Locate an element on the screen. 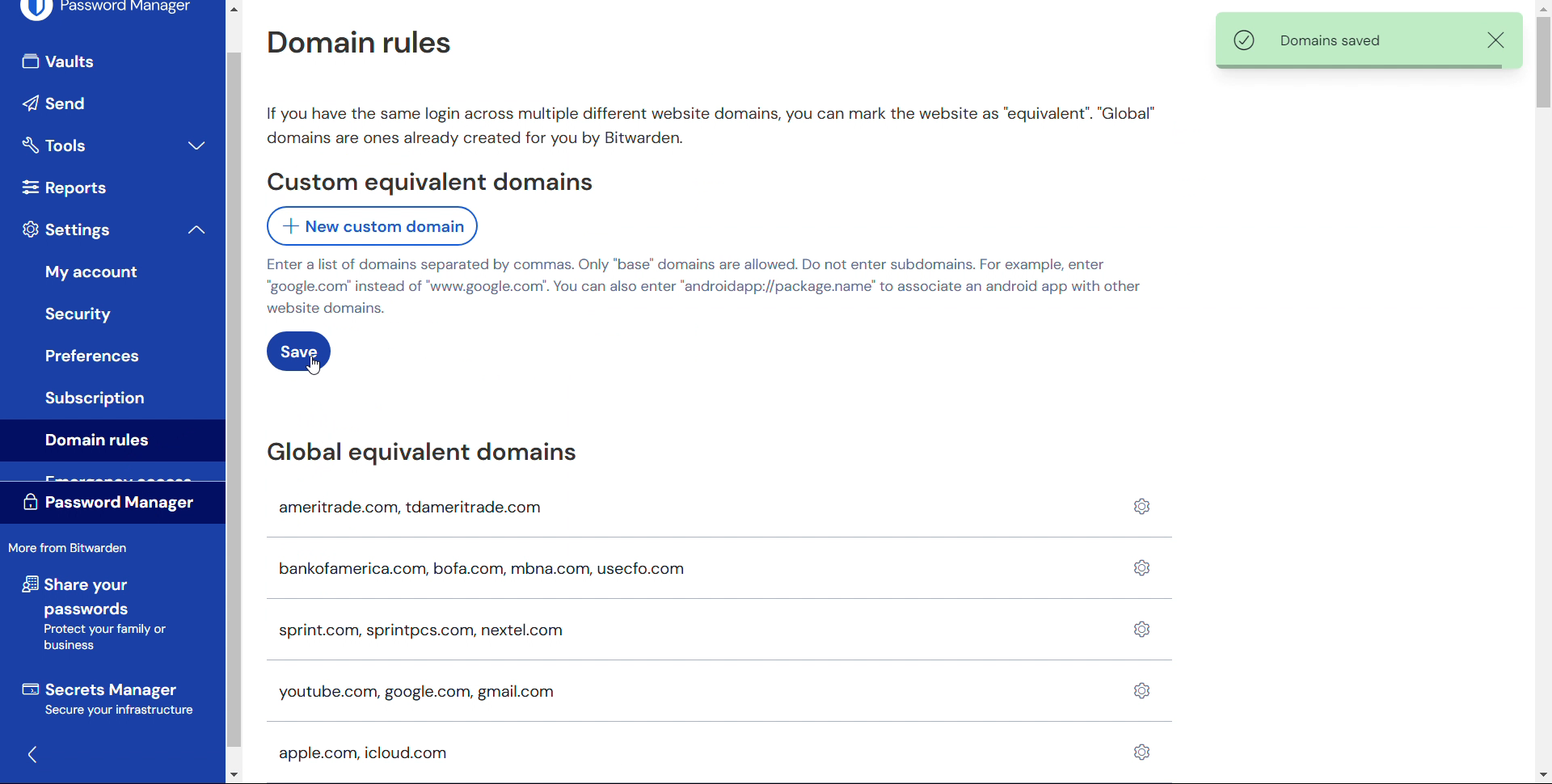 This screenshot has height=784, width=1552. bankofamerica.com, bofa.com, mbna.com, usecfo.com is located at coordinates (506, 567).